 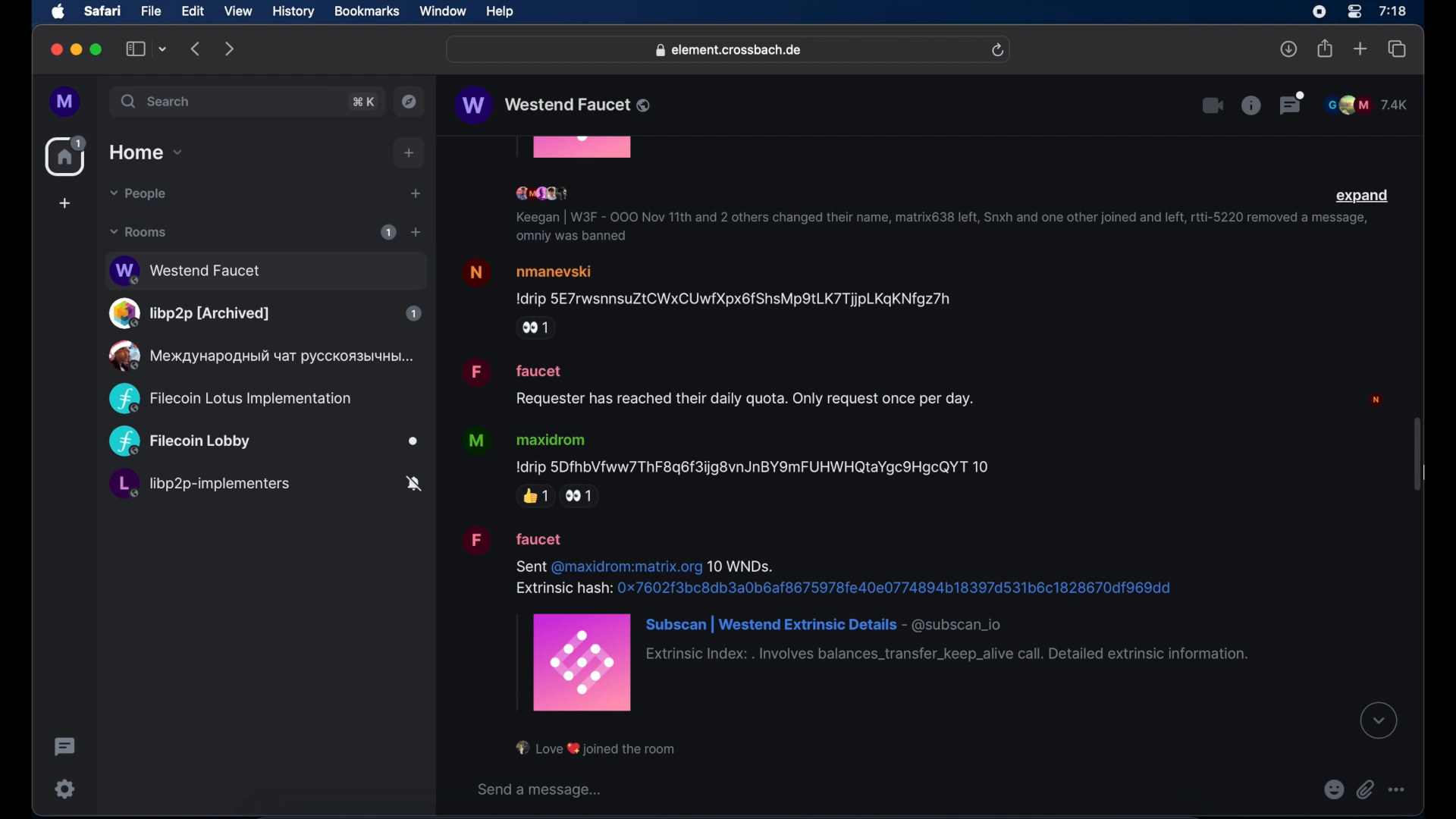 What do you see at coordinates (139, 232) in the screenshot?
I see `rooms dropdown` at bounding box center [139, 232].